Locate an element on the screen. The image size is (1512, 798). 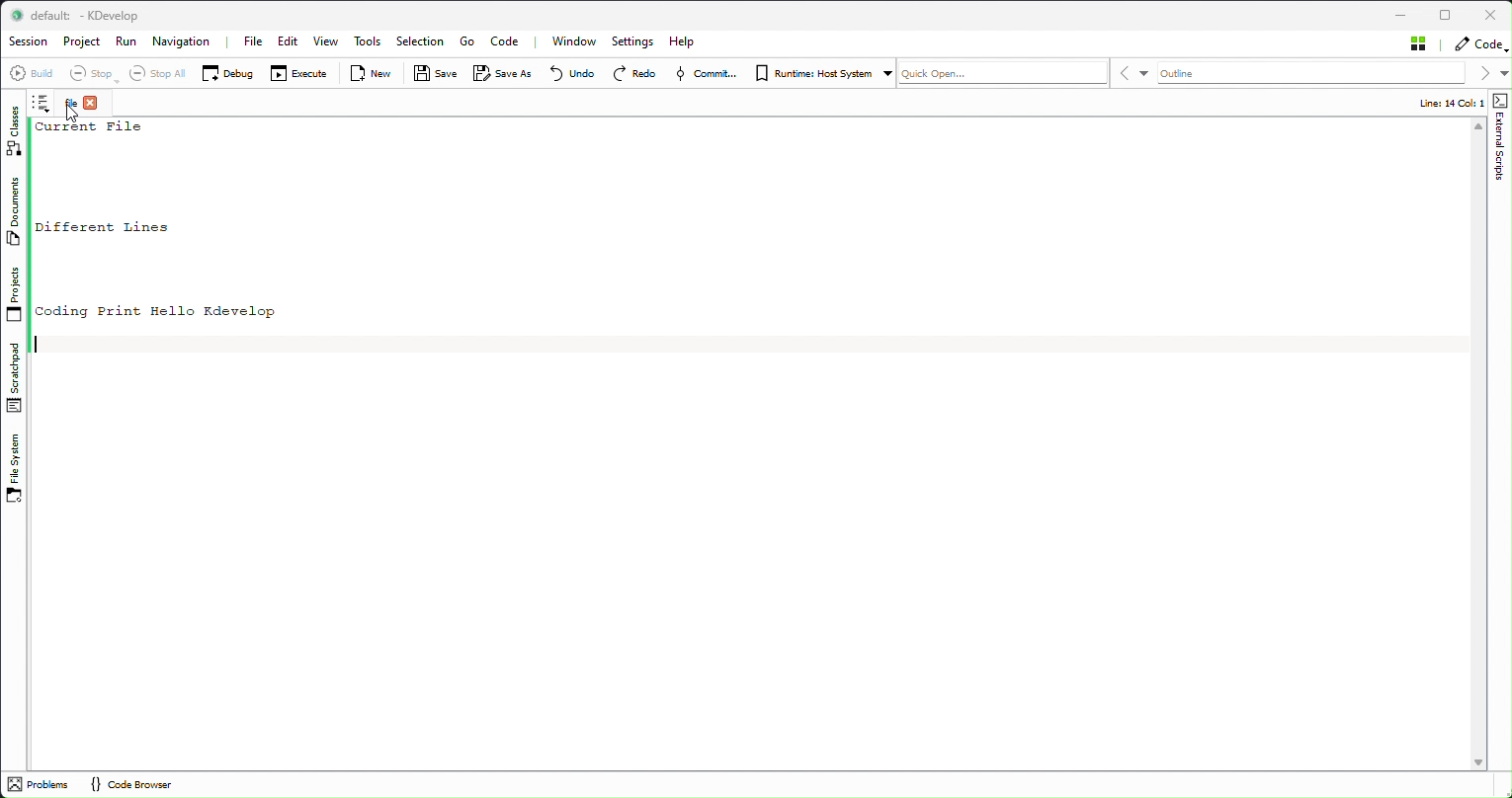
File System is located at coordinates (15, 466).